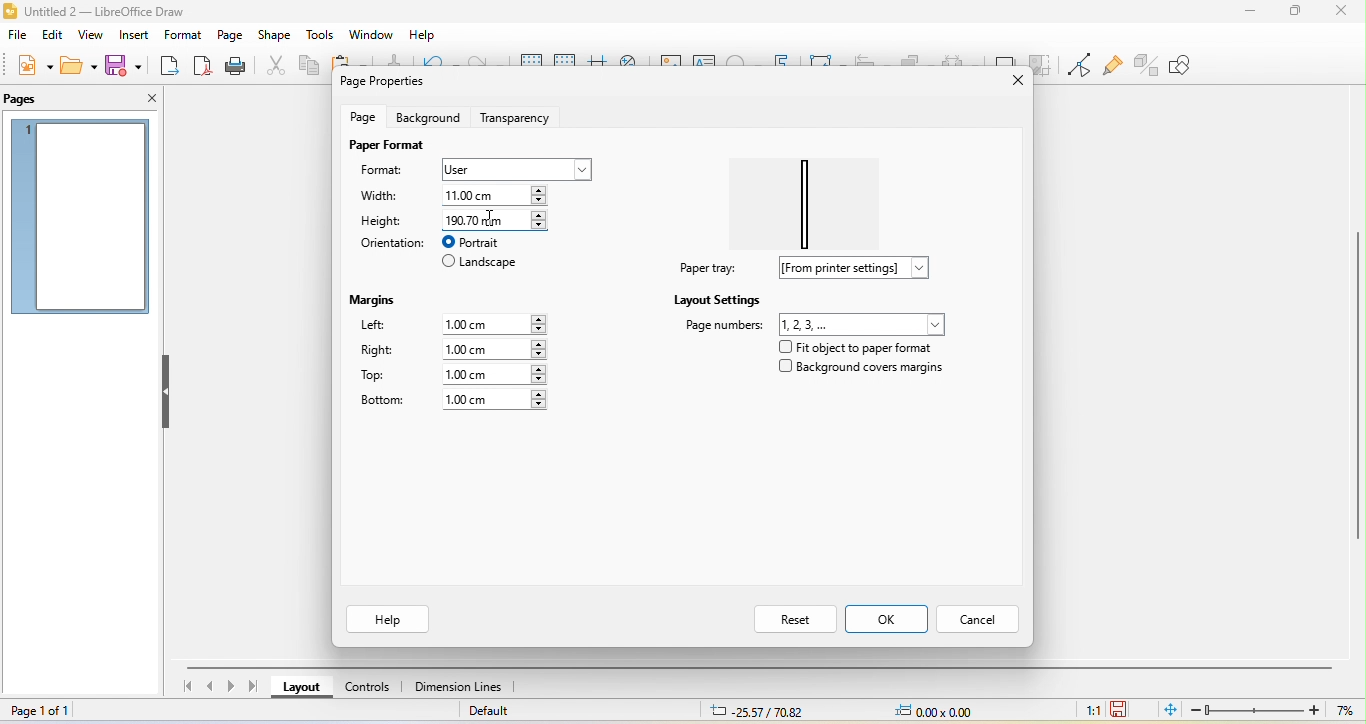  I want to click on lefr, so click(386, 327).